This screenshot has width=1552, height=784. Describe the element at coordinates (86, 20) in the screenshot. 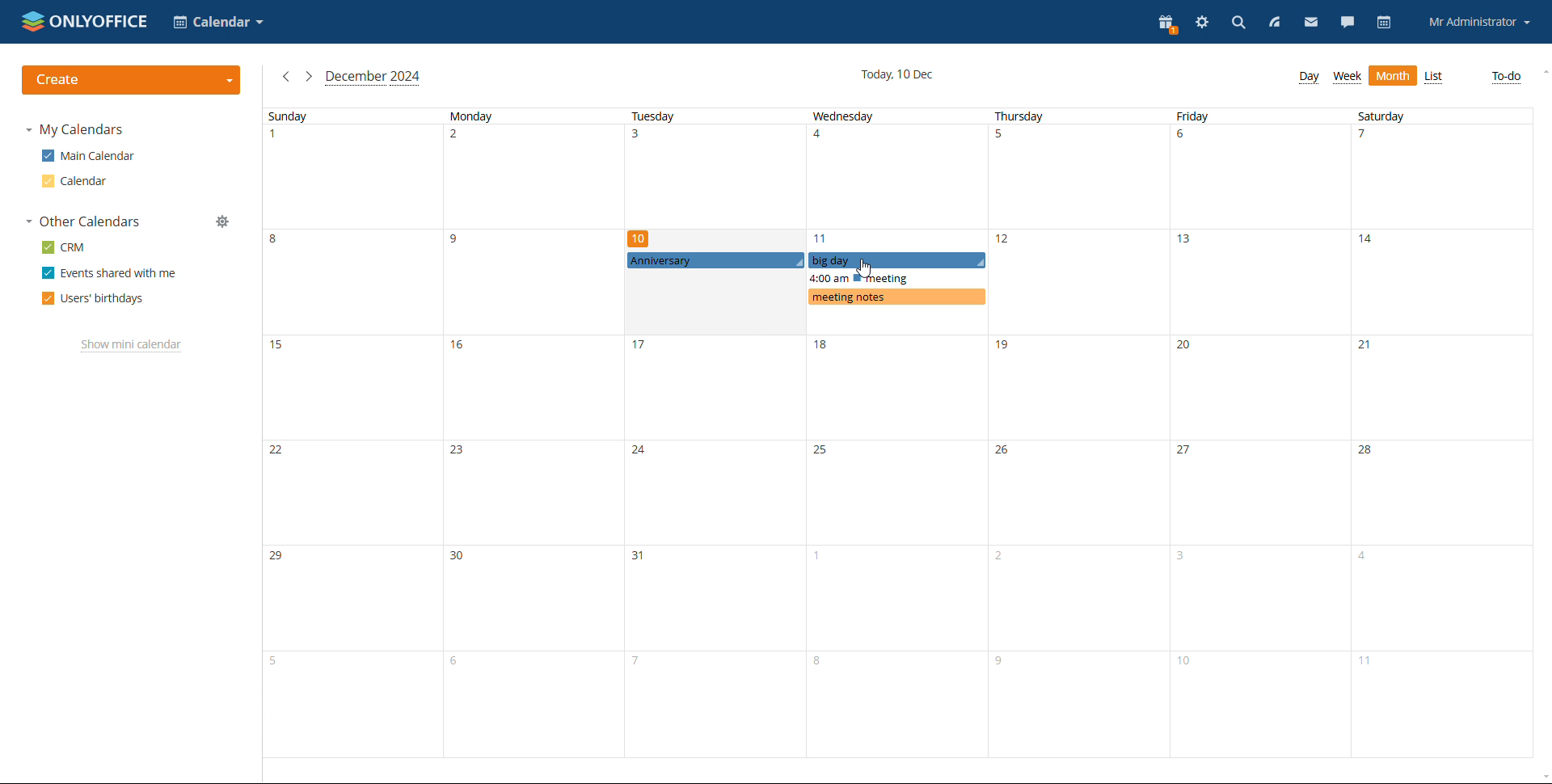

I see `logo` at that location.